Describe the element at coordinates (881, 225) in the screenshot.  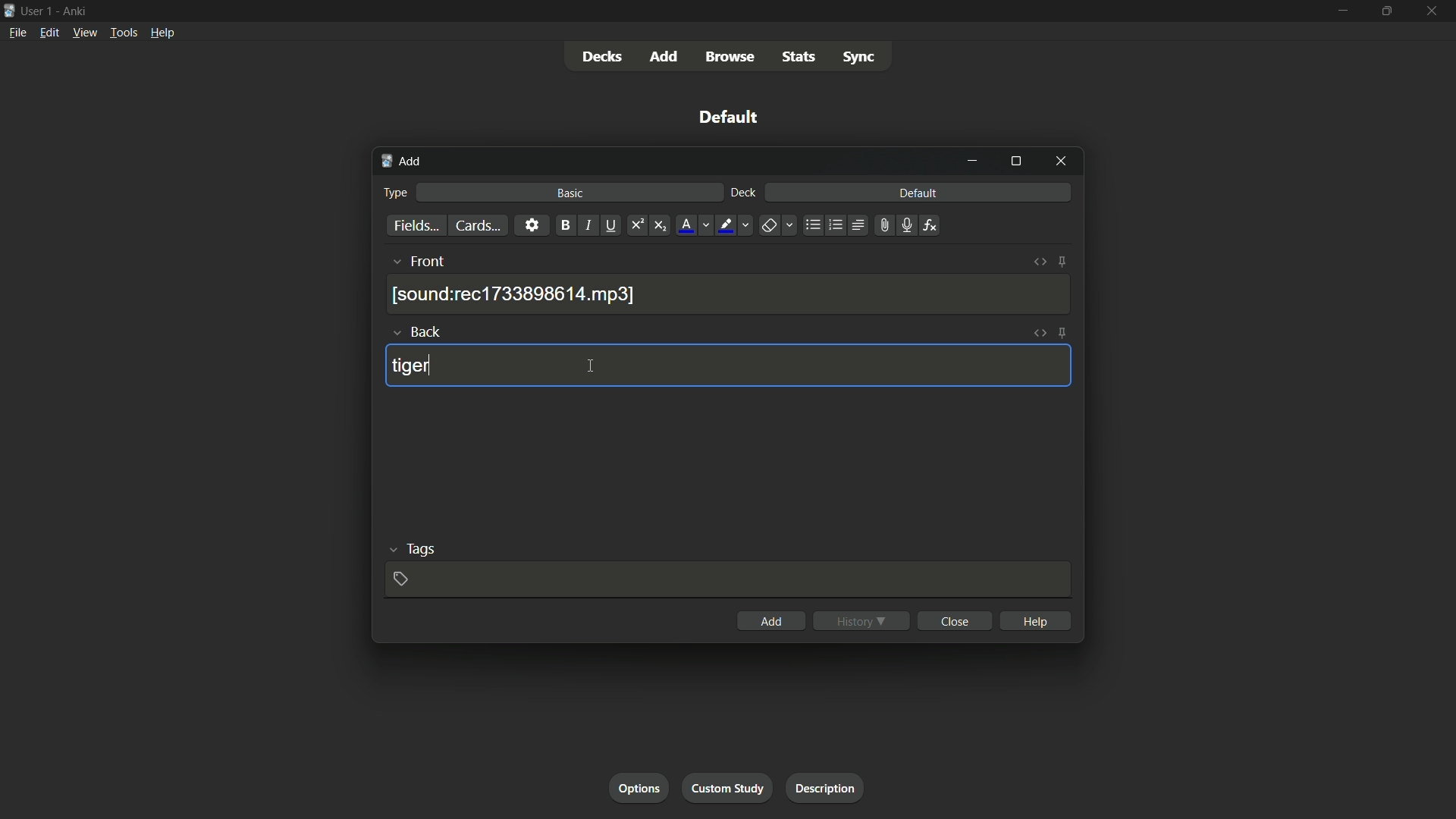
I see `attach` at that location.